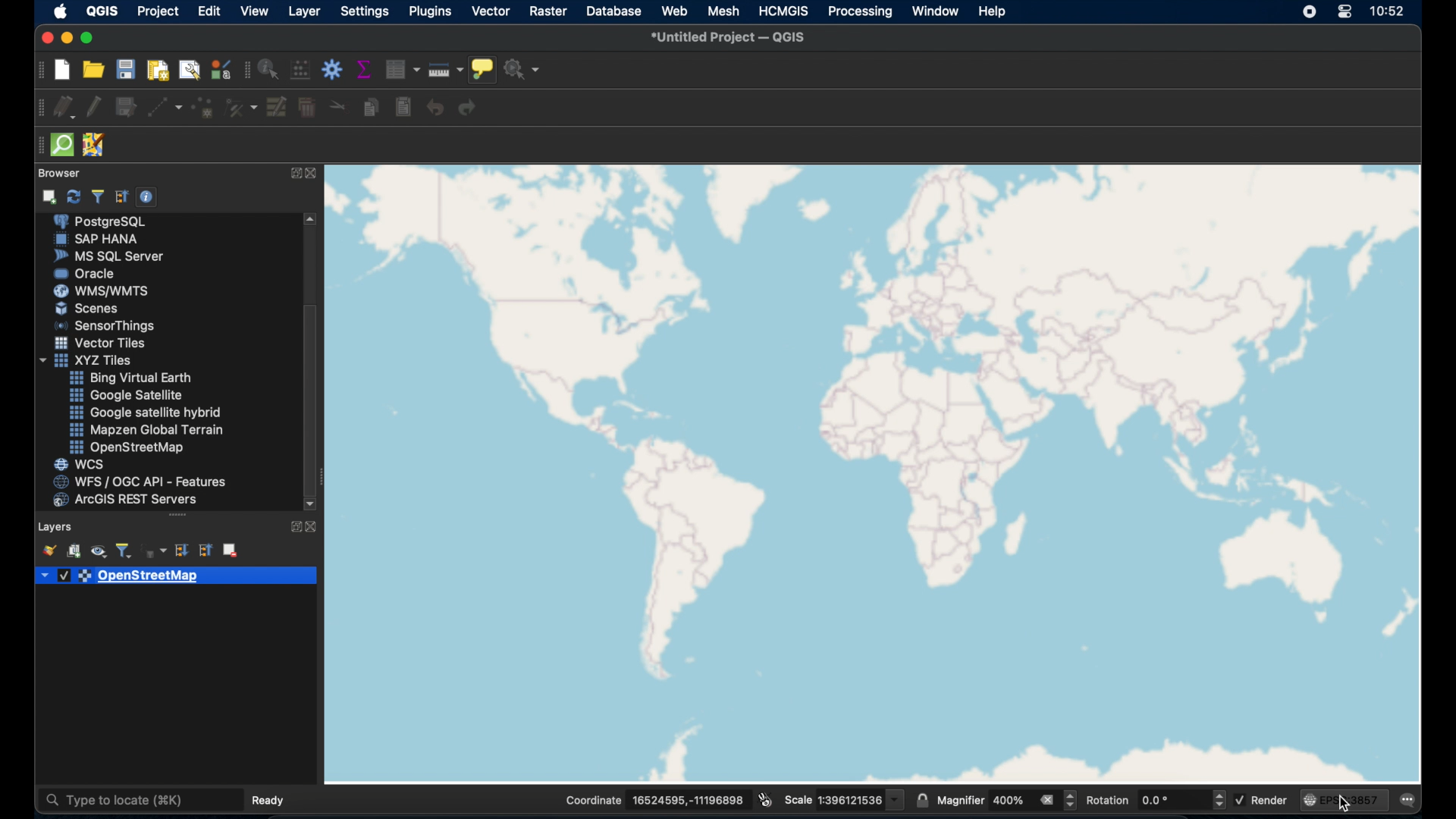  I want to click on edit, so click(209, 11).